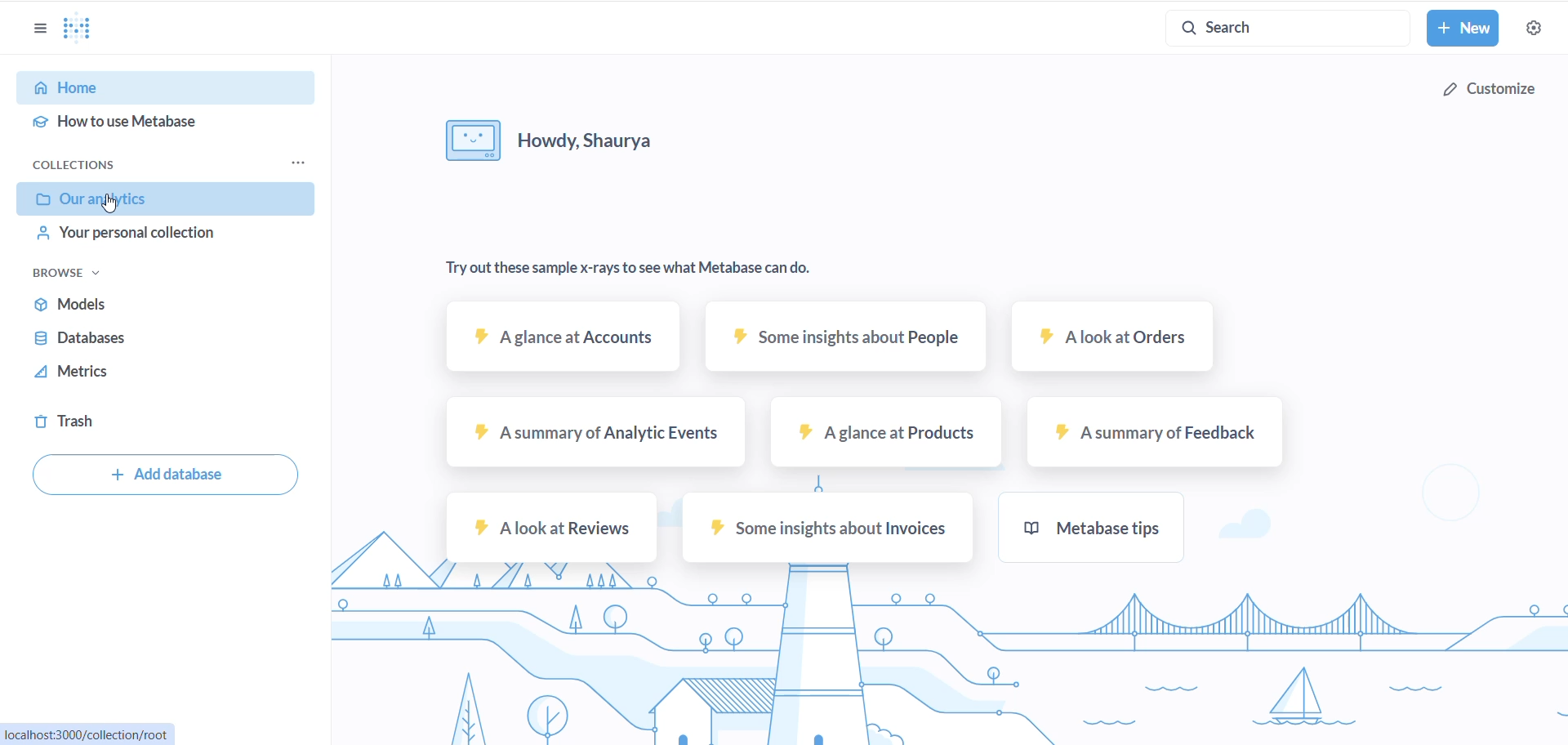  I want to click on new , so click(1463, 29).